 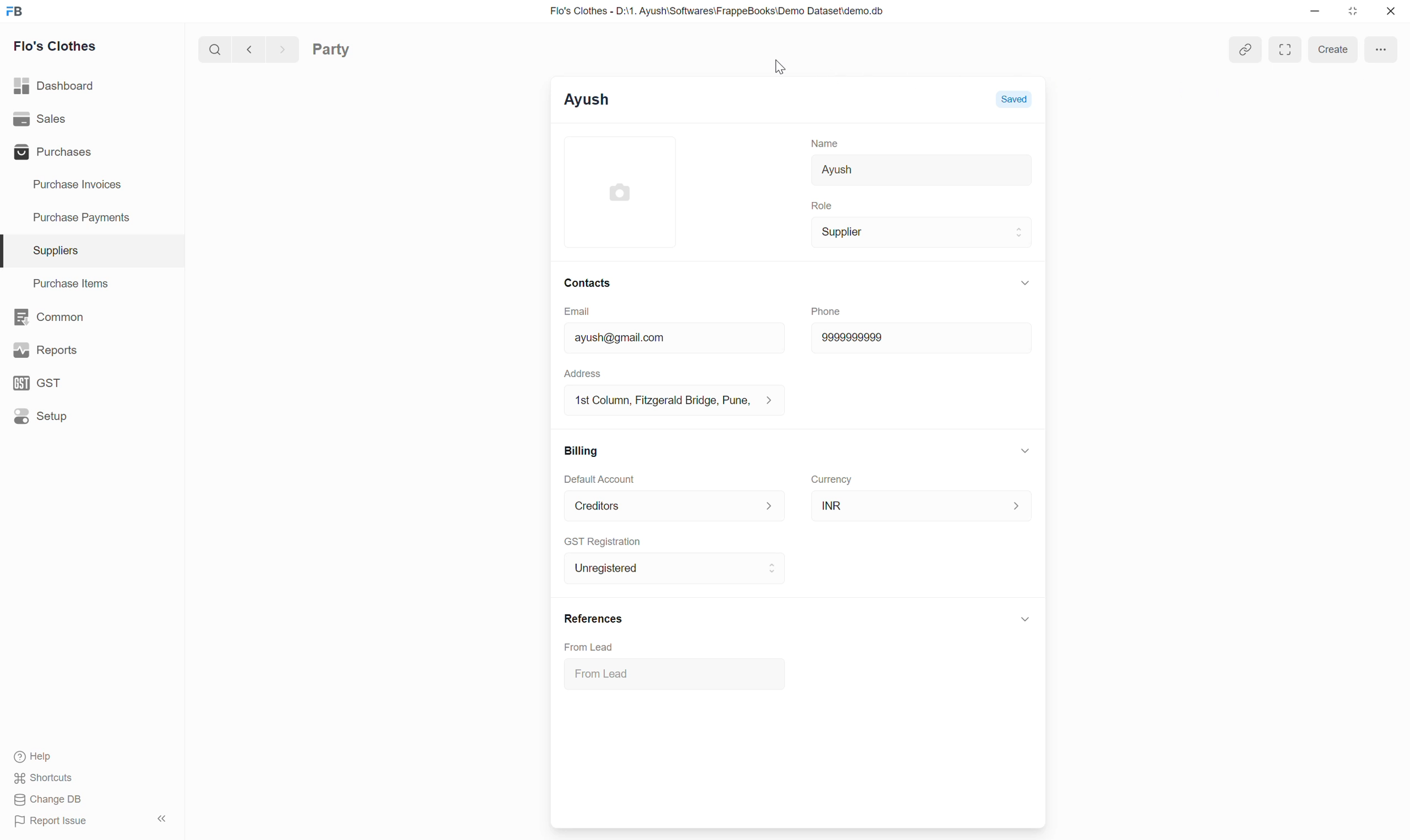 What do you see at coordinates (92, 284) in the screenshot?
I see `Purchase Items` at bounding box center [92, 284].